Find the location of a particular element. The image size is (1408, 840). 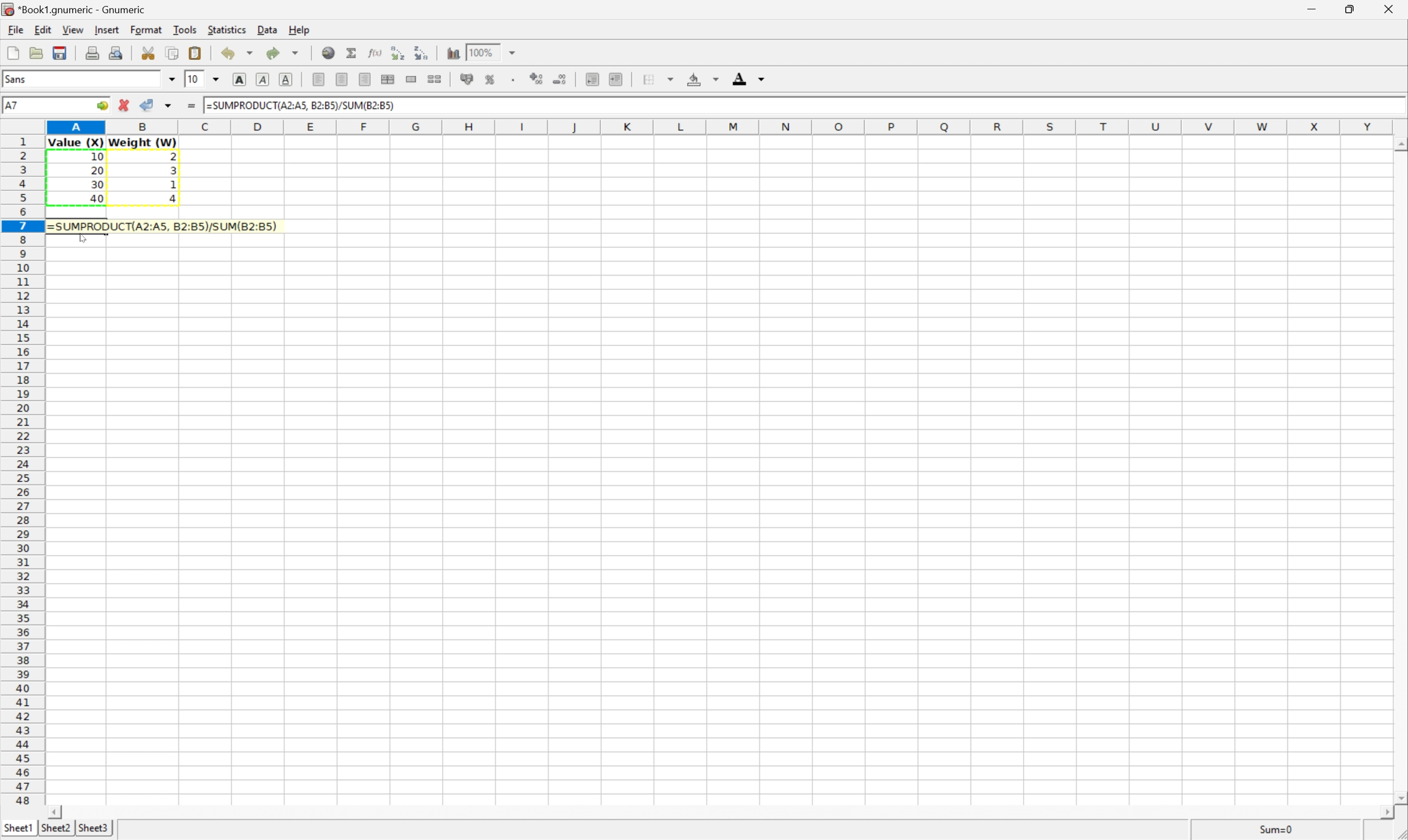

Column Names is located at coordinates (721, 126).